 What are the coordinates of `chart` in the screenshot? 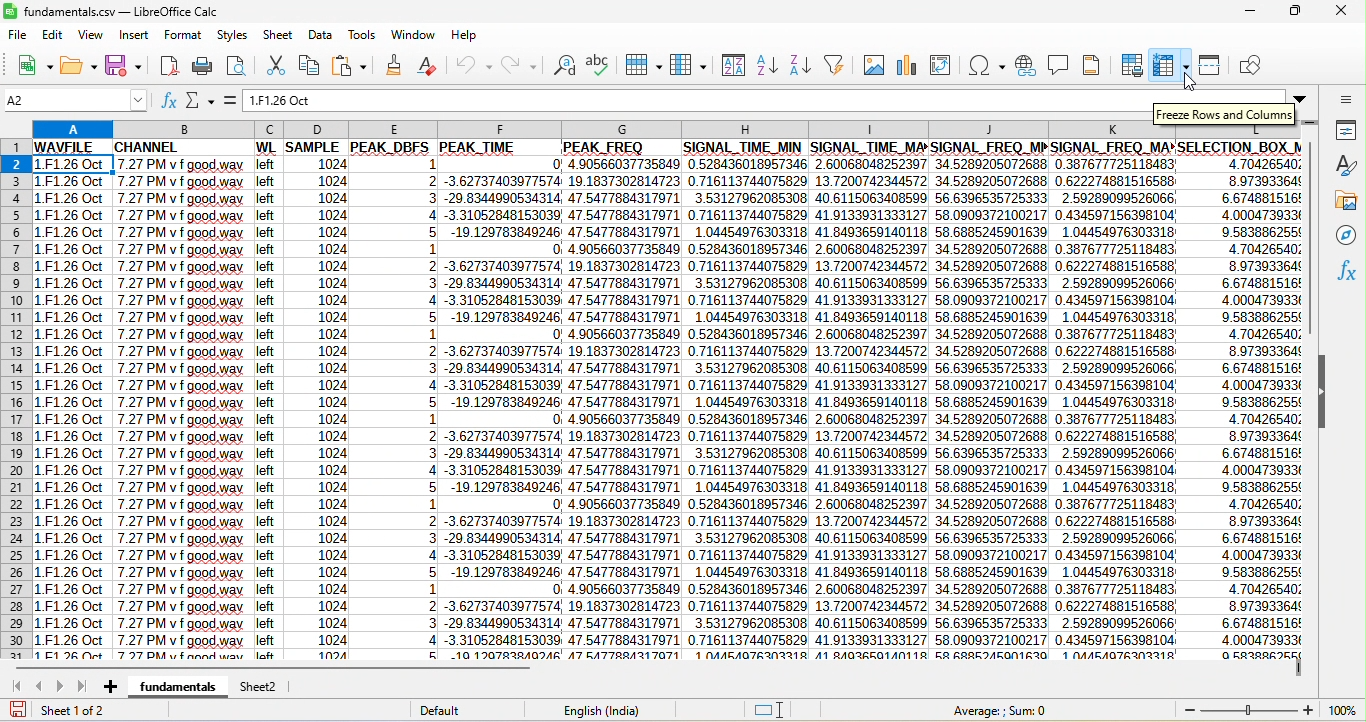 It's located at (905, 65).